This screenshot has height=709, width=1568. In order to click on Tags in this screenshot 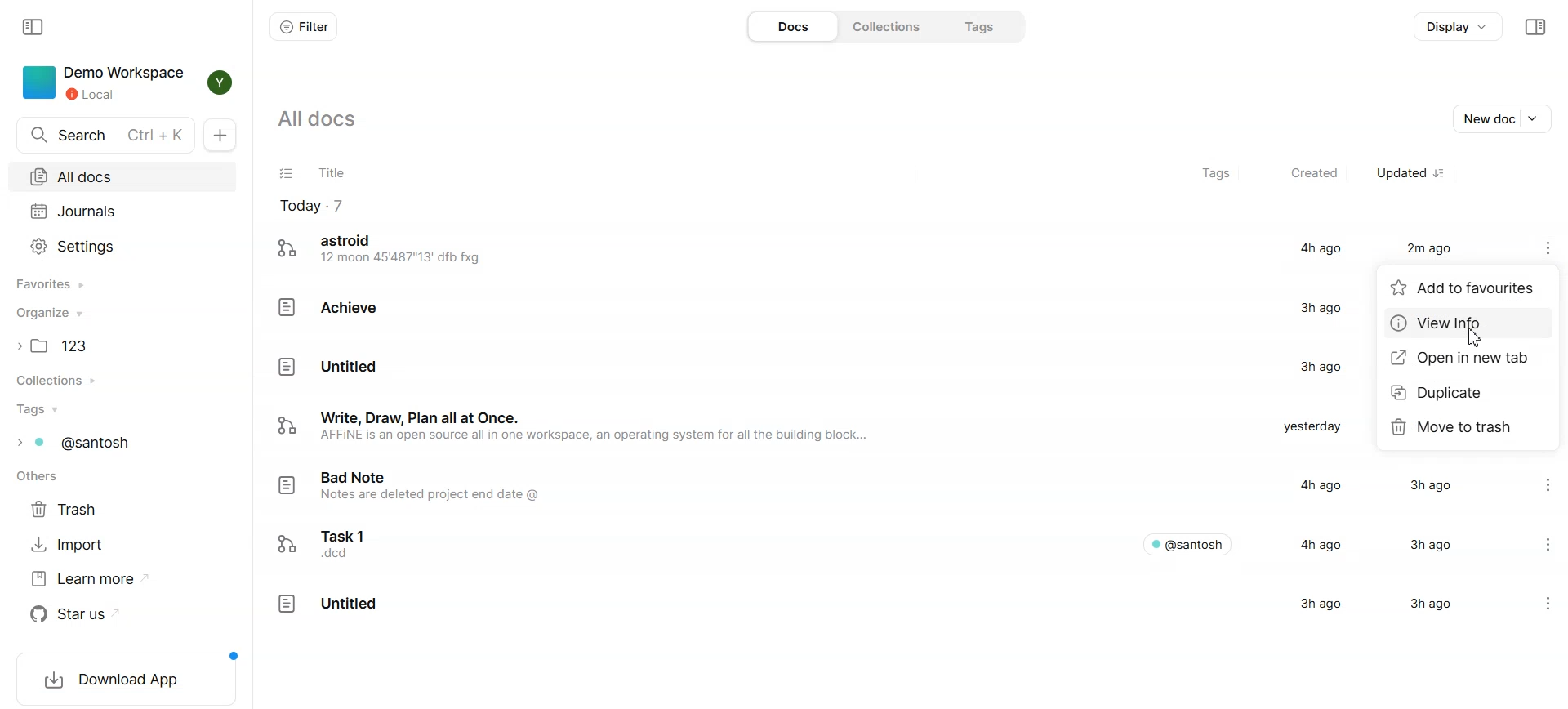, I will do `click(1215, 174)`.